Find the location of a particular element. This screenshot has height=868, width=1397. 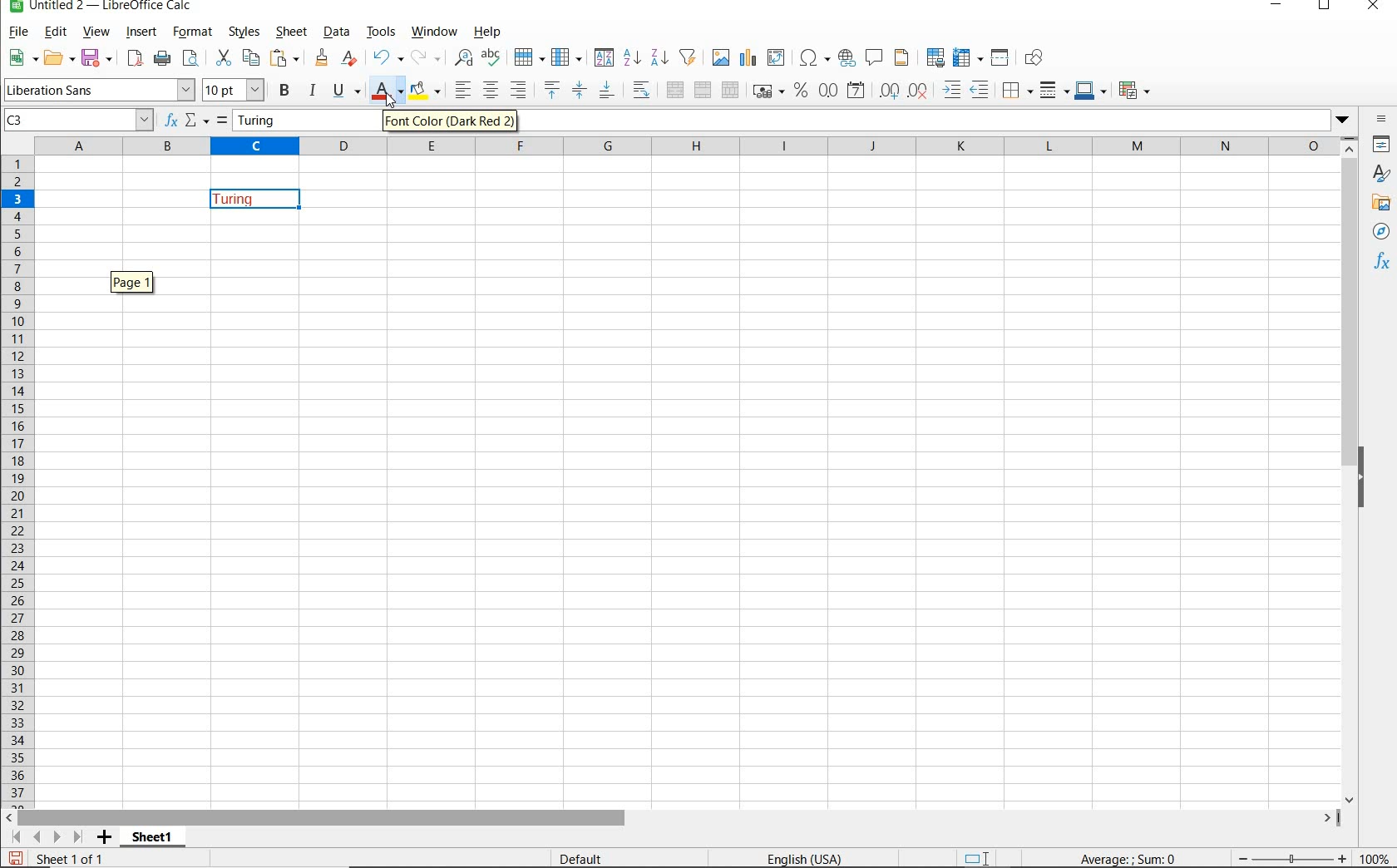

FILE is located at coordinates (19, 33).